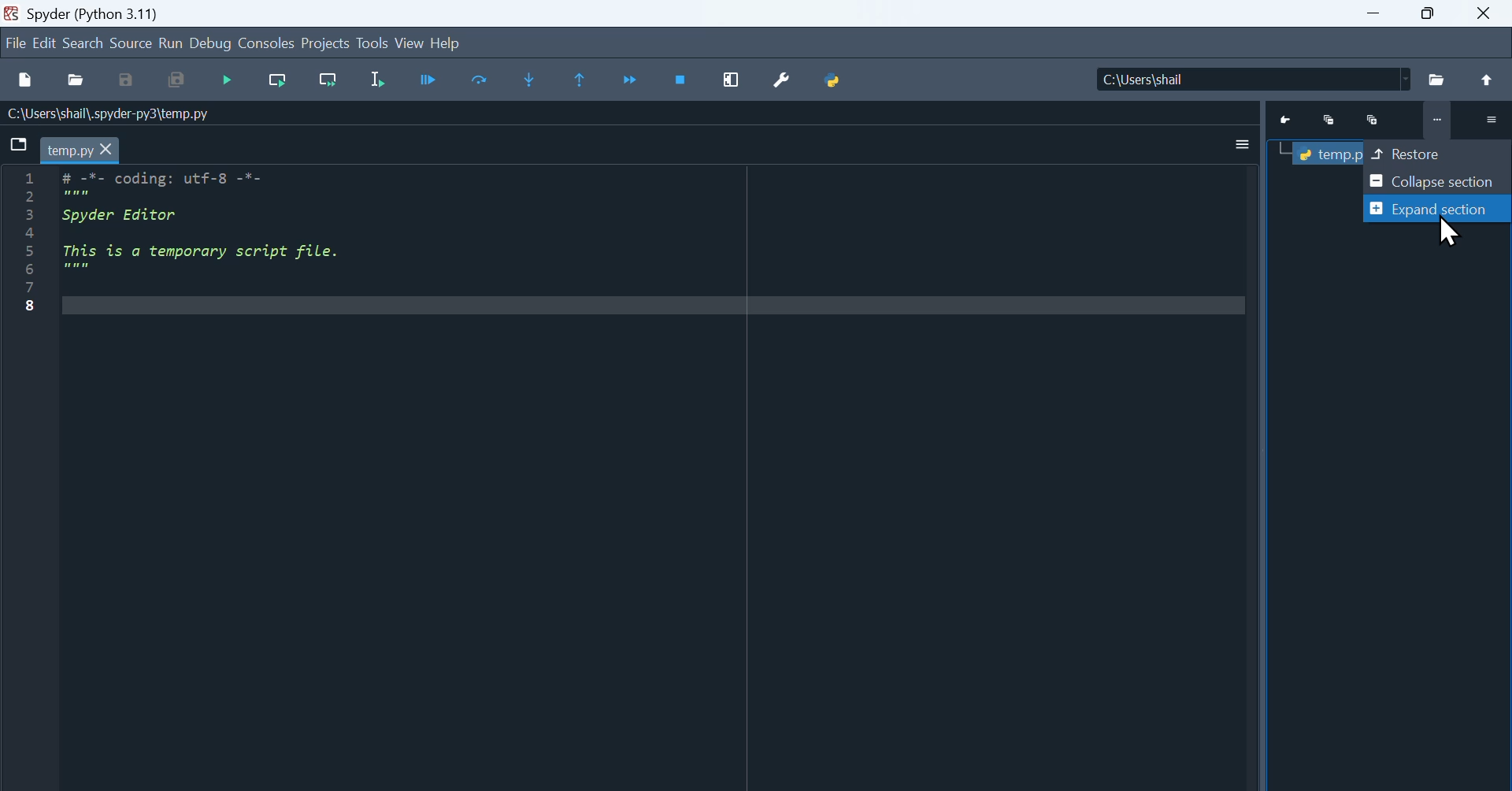  Describe the element at coordinates (211, 44) in the screenshot. I see `Debug` at that location.